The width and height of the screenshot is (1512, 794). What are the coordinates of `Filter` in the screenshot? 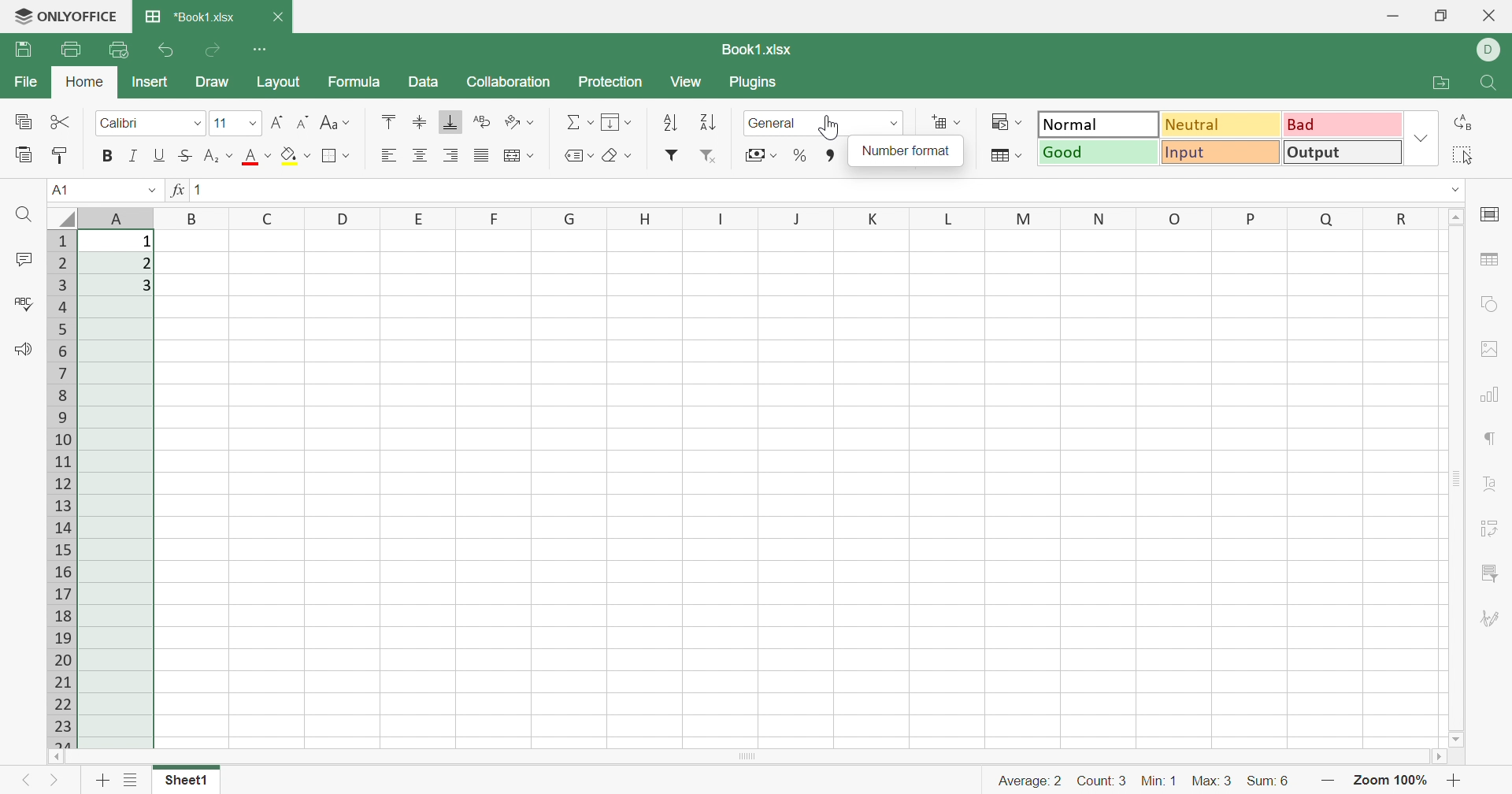 It's located at (671, 155).